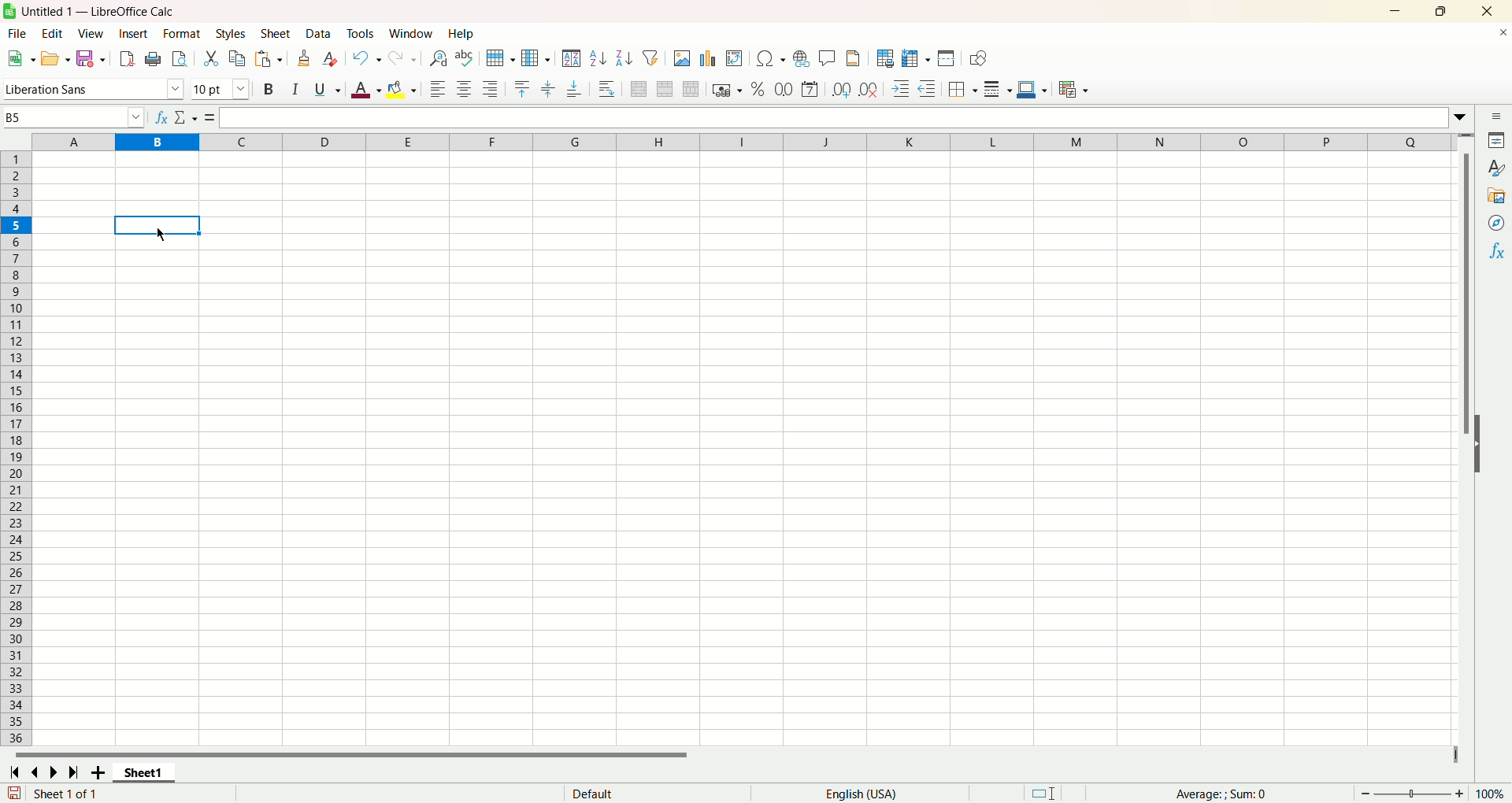  I want to click on file, so click(18, 33).